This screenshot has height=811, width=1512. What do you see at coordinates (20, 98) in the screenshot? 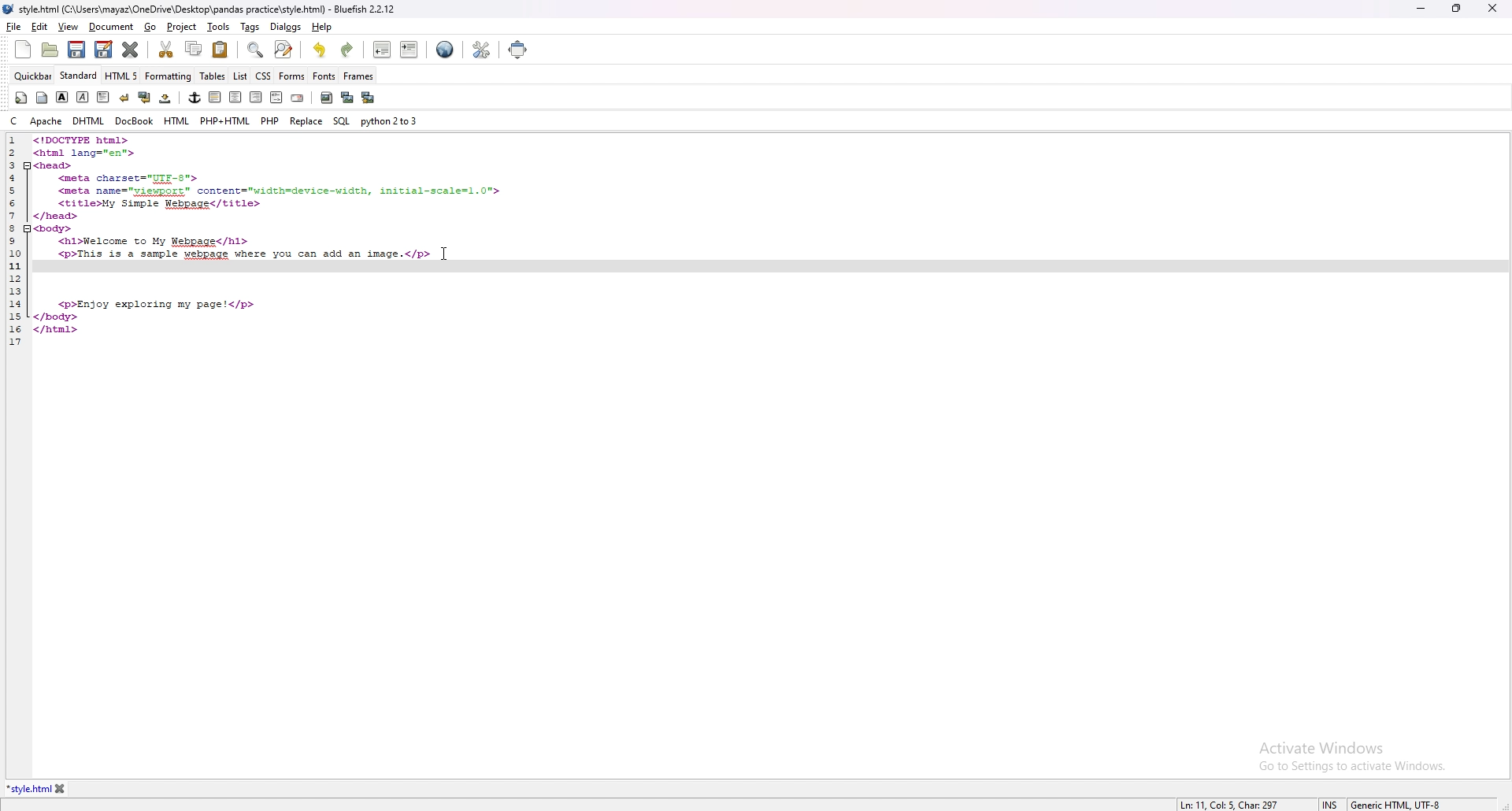
I see `quickstart` at bounding box center [20, 98].